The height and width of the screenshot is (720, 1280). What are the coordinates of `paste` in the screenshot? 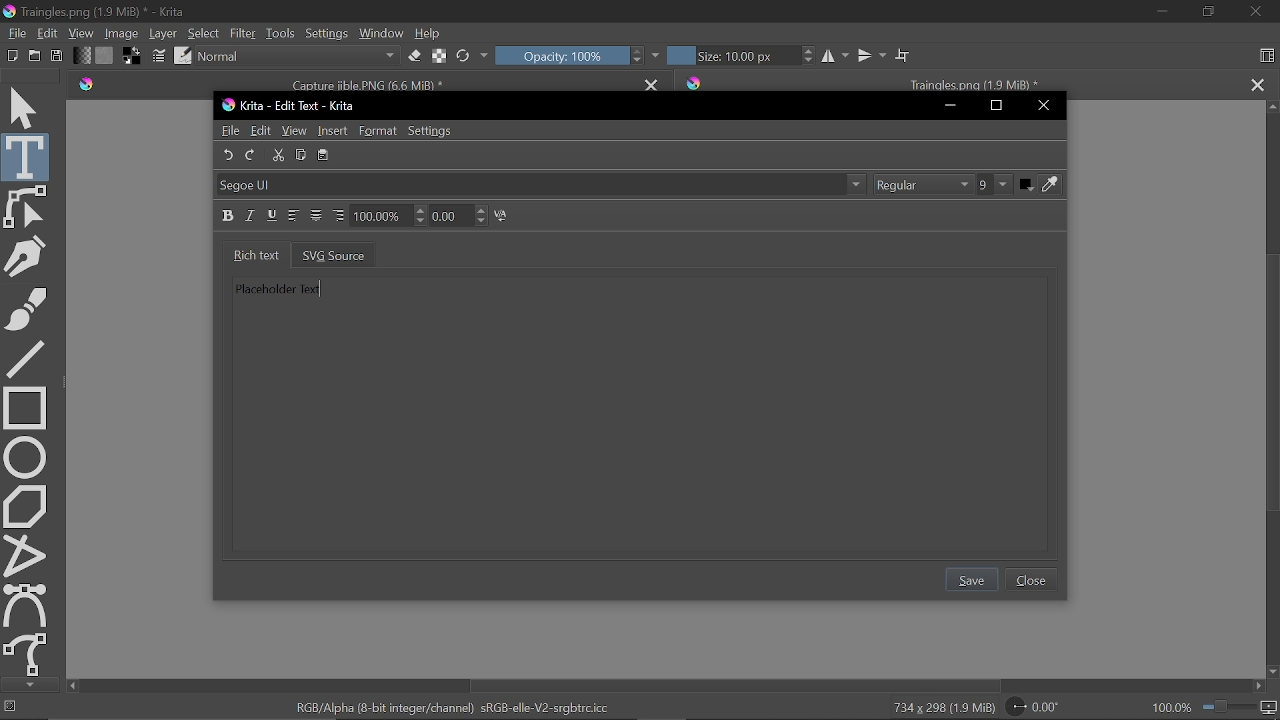 It's located at (324, 155).